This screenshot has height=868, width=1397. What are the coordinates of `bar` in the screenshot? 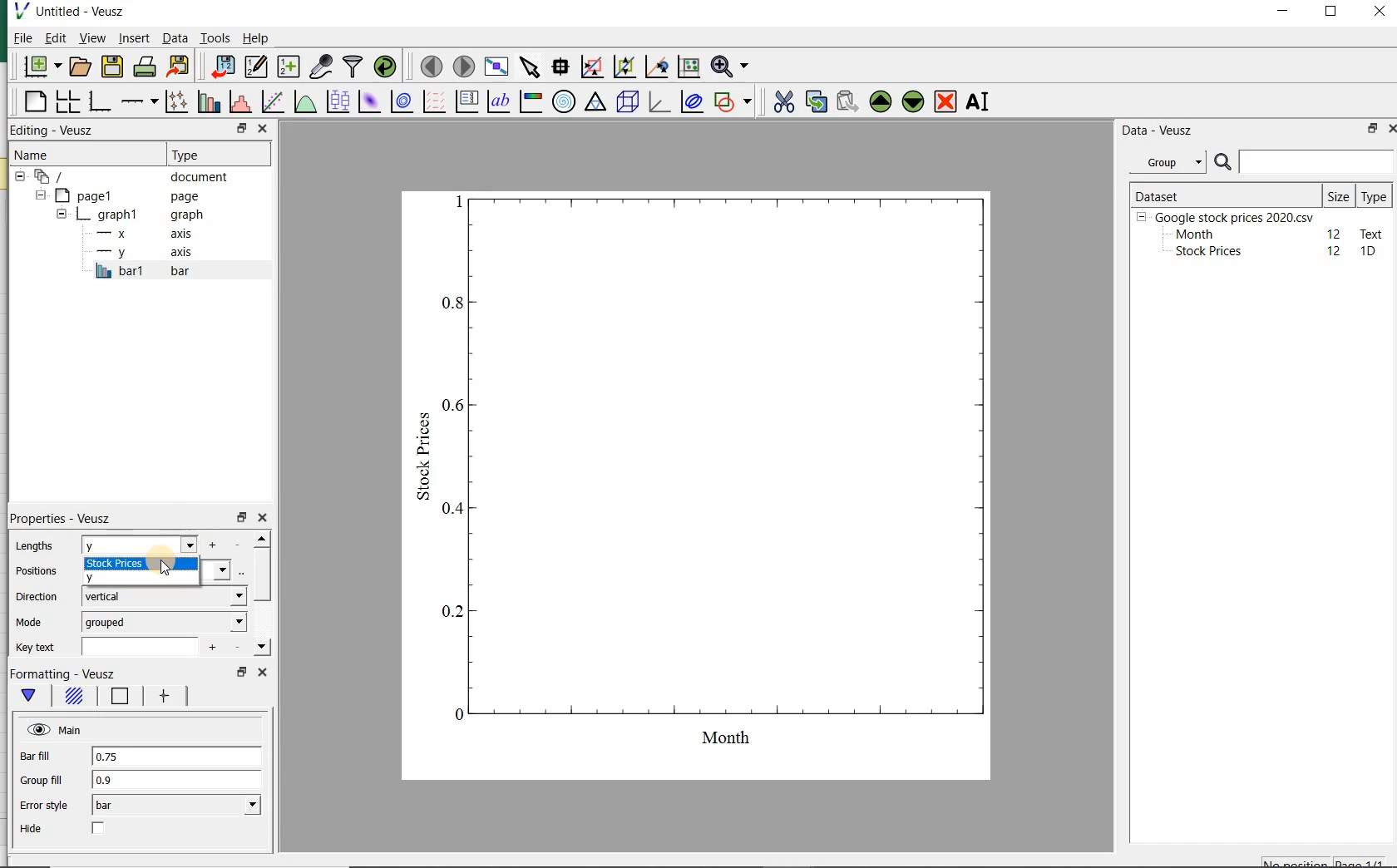 It's located at (175, 806).